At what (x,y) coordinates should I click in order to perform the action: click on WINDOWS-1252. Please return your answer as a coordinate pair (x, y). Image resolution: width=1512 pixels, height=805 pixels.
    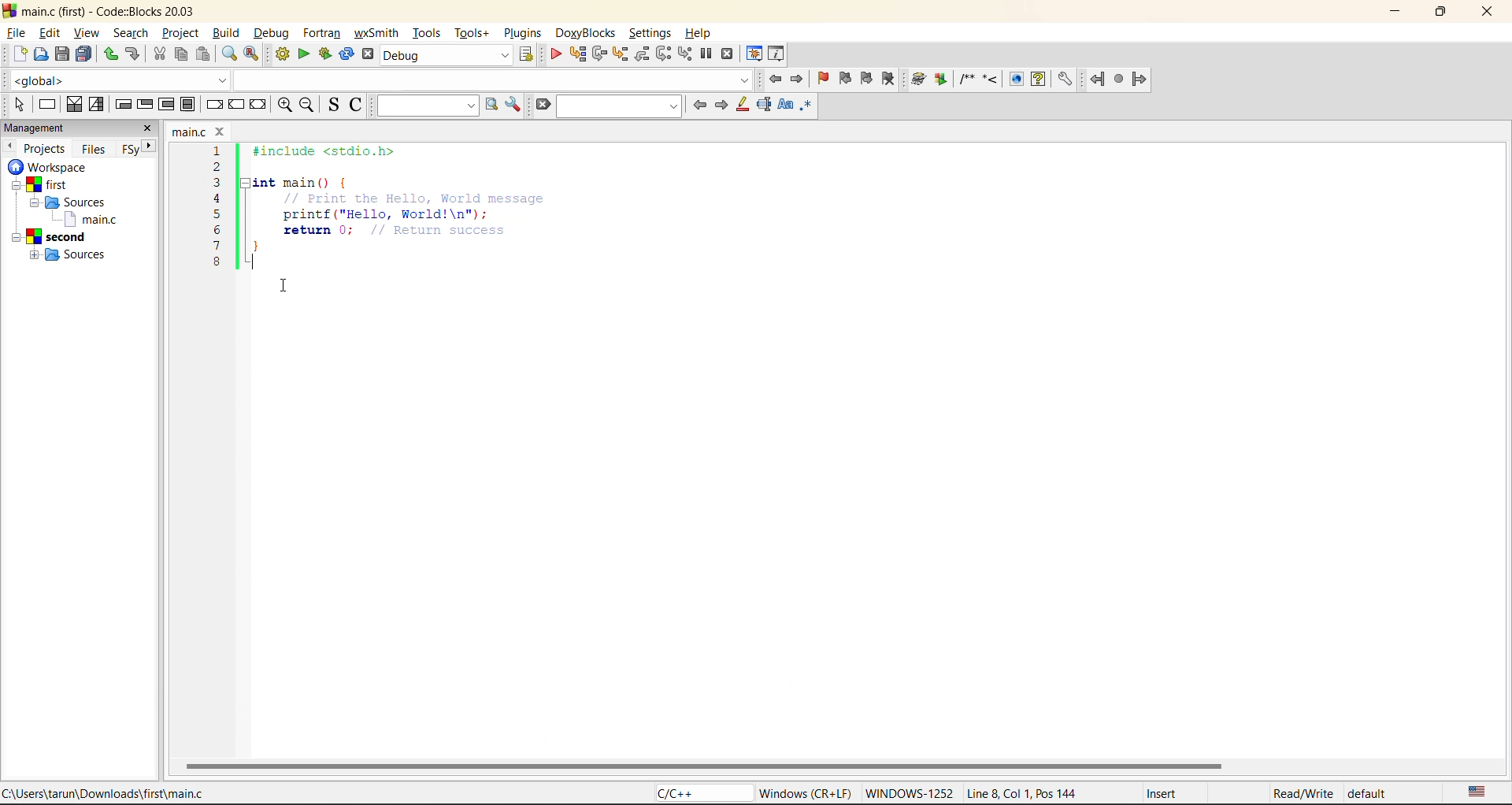
    Looking at the image, I should click on (910, 792).